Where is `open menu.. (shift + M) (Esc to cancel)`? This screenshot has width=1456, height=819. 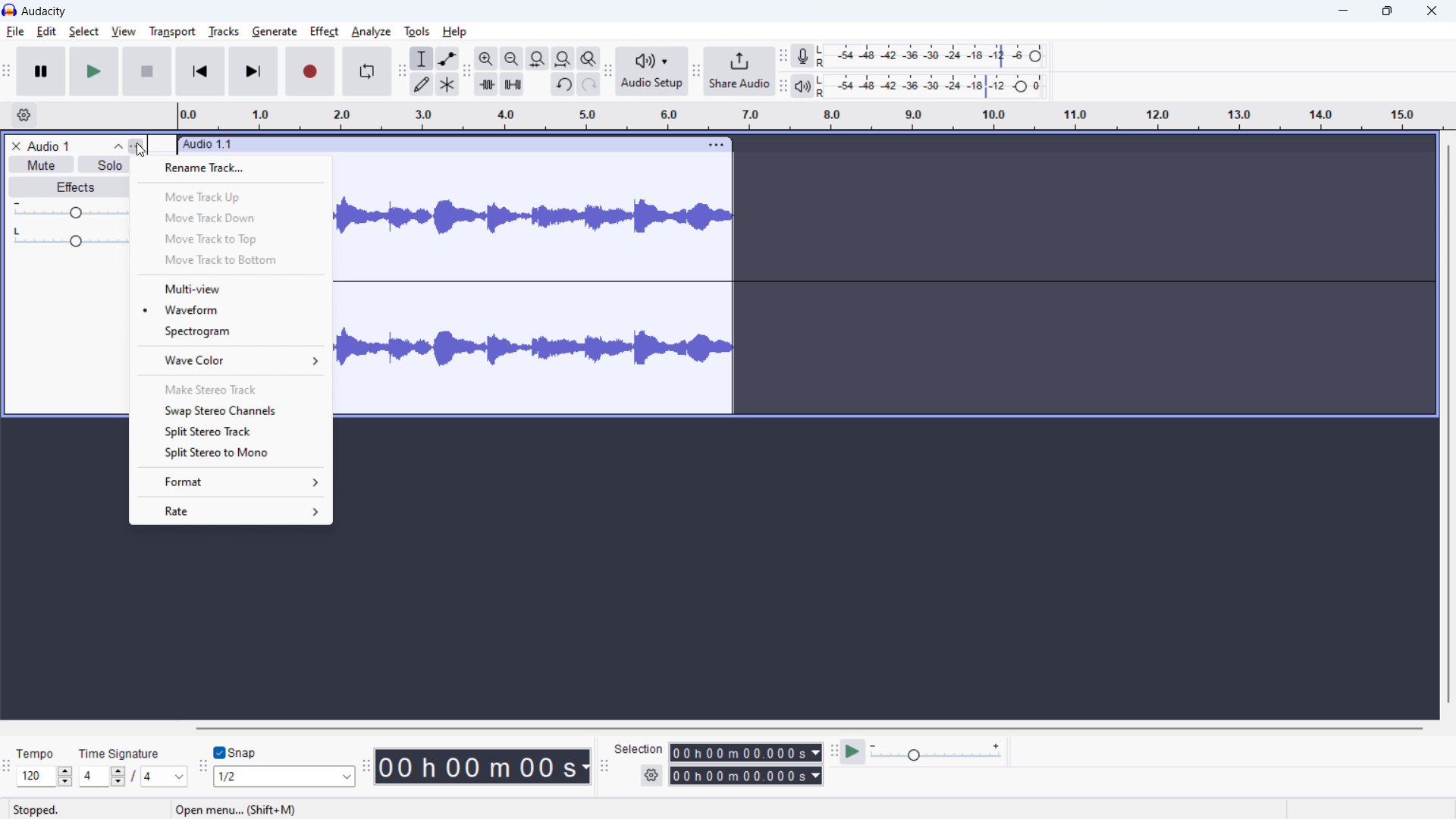 open menu.. (shift + M) (Esc to cancel) is located at coordinates (271, 808).